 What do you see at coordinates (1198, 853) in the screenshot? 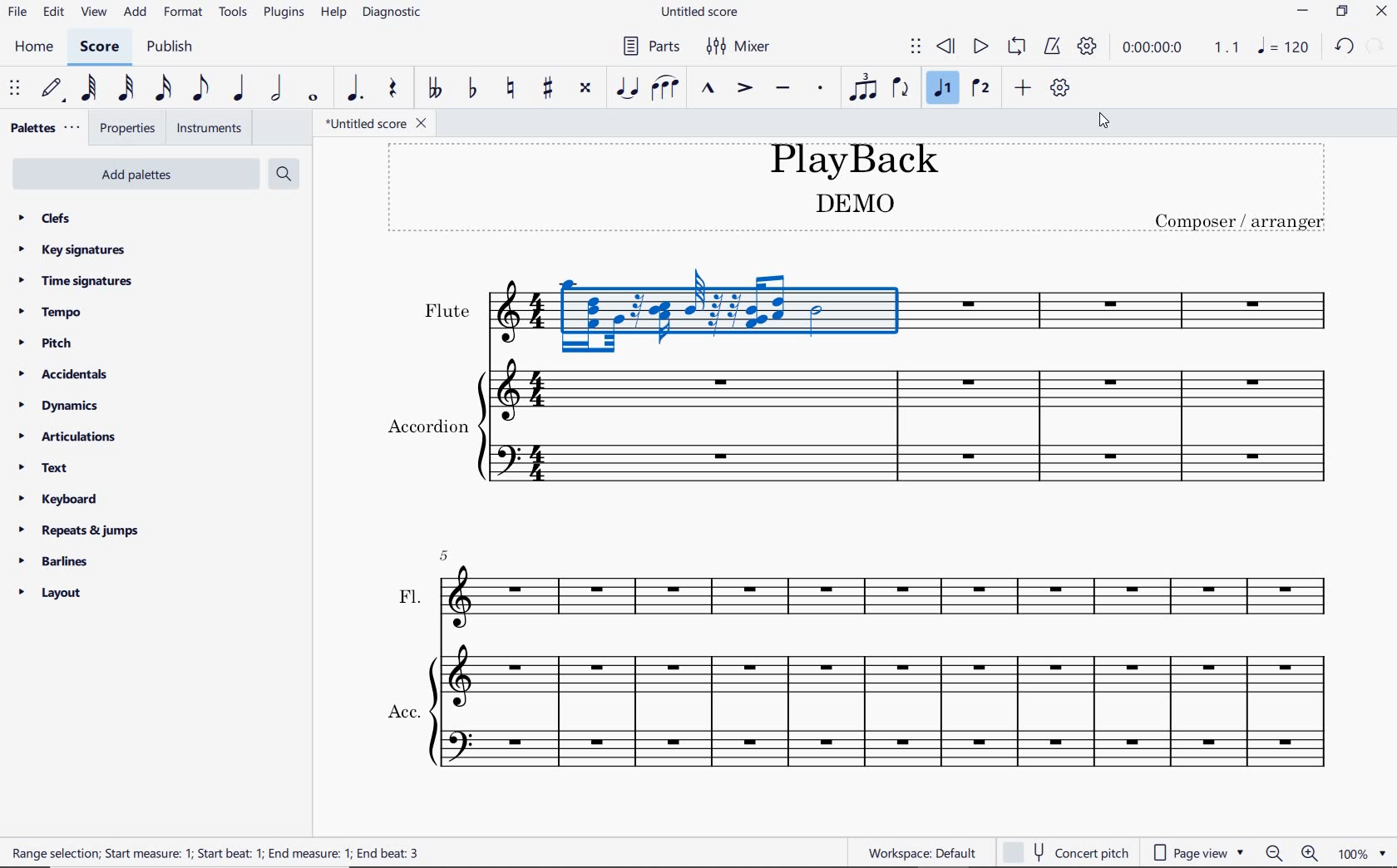
I see `page view` at bounding box center [1198, 853].